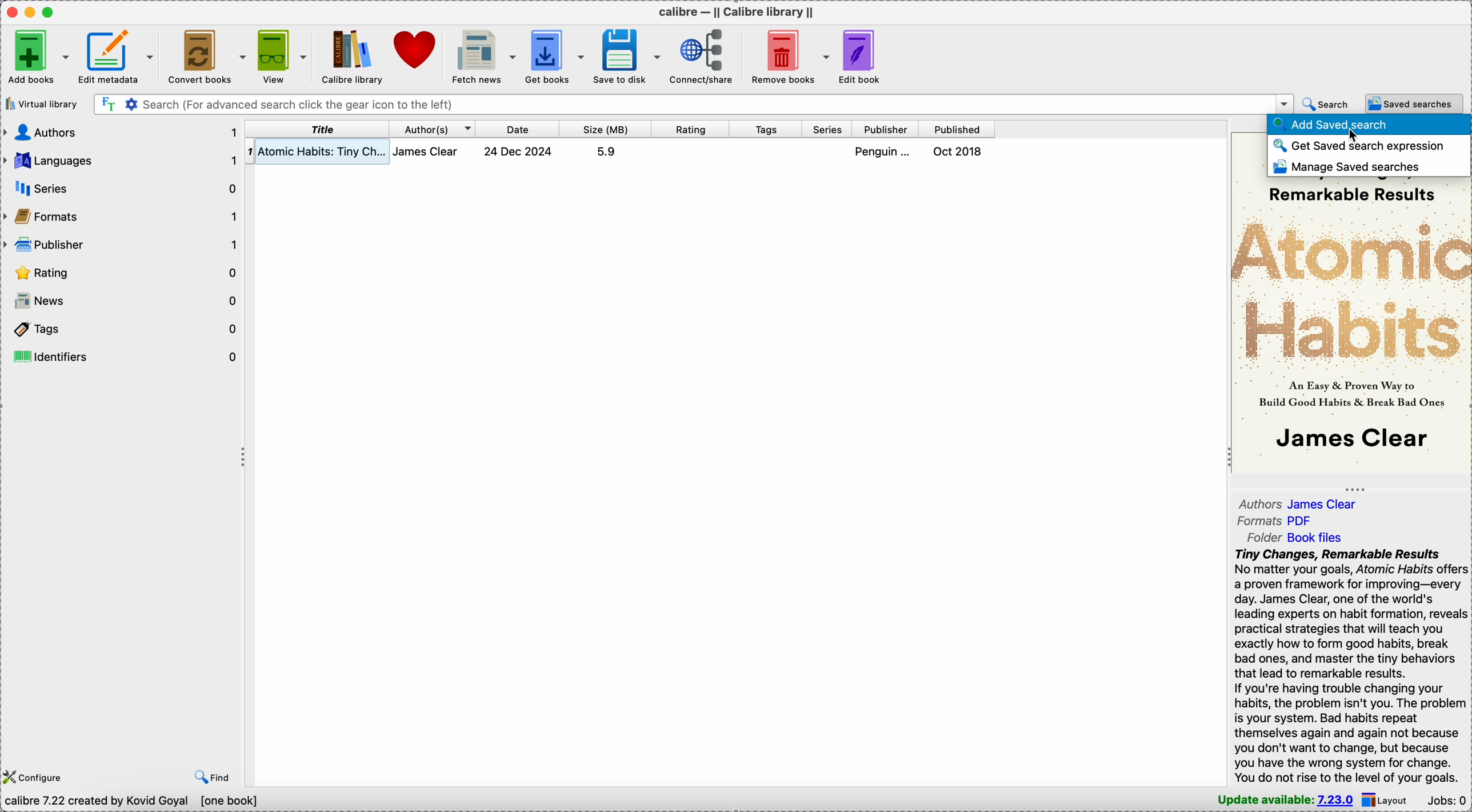 The height and width of the screenshot is (812, 1472). Describe the element at coordinates (1304, 502) in the screenshot. I see `authors James Clear` at that location.